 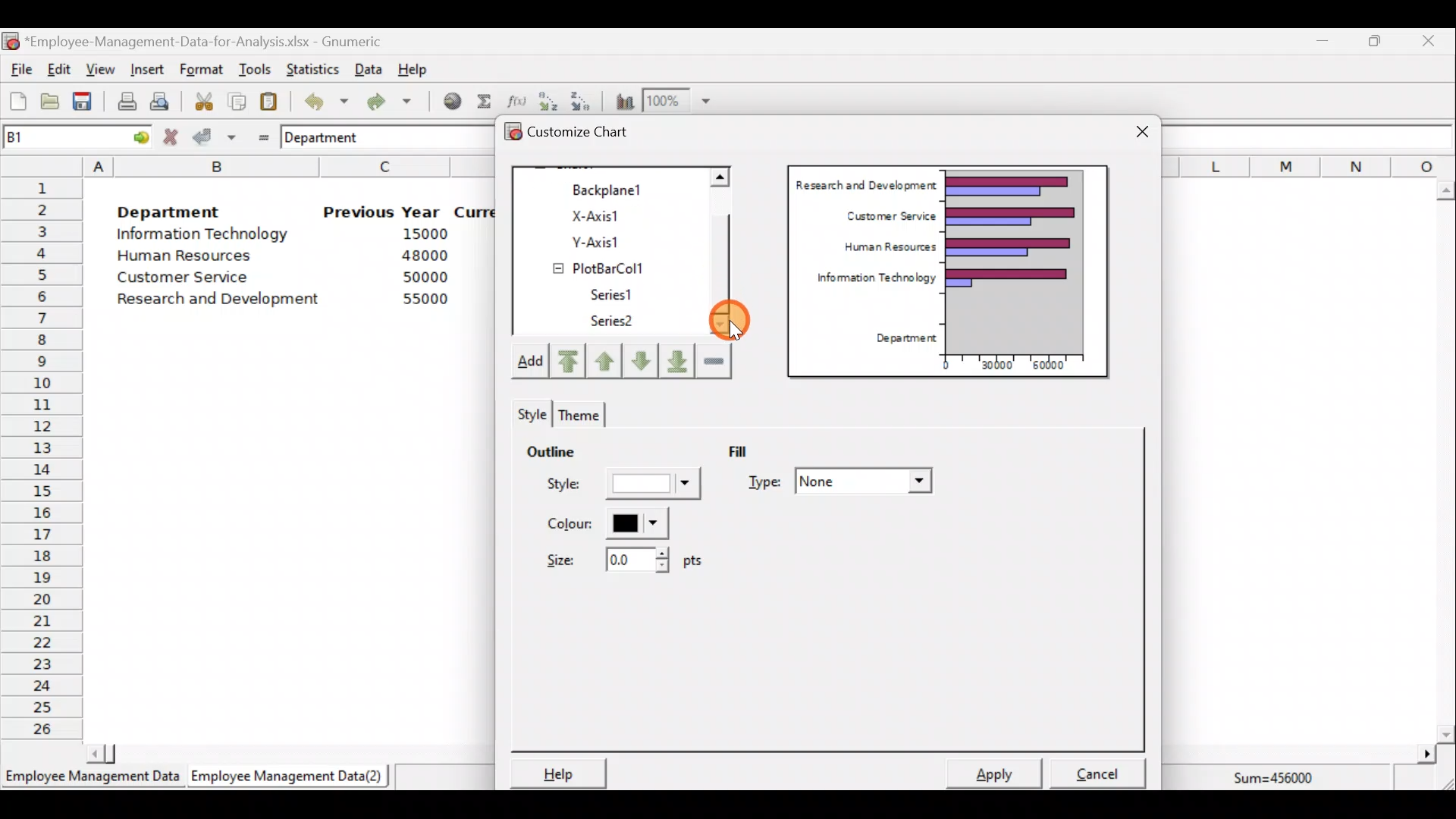 What do you see at coordinates (728, 253) in the screenshot?
I see `Scroll bar` at bounding box center [728, 253].